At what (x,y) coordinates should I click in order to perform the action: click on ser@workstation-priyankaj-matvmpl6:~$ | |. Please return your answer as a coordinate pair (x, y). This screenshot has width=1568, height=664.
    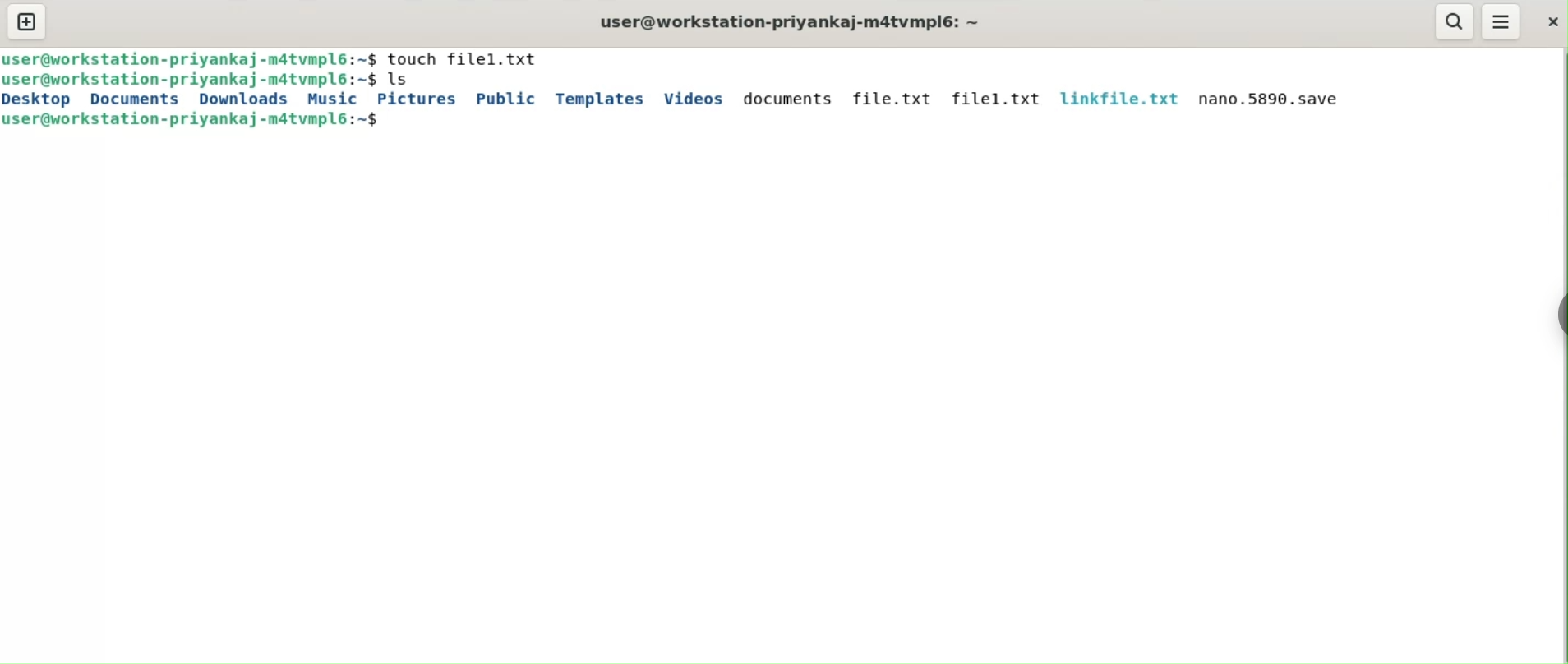
    Looking at the image, I should click on (192, 80).